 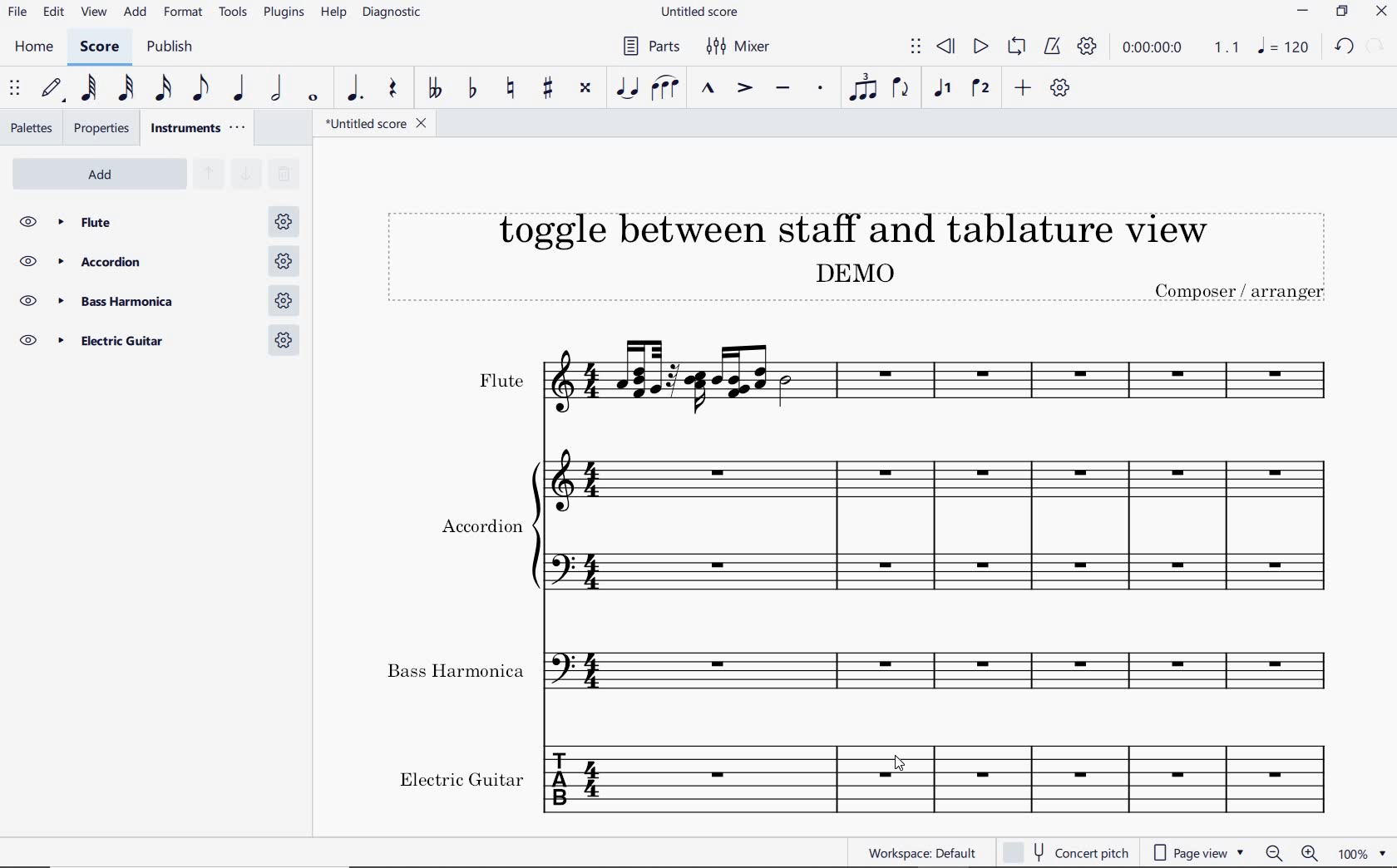 What do you see at coordinates (865, 248) in the screenshot?
I see `Title` at bounding box center [865, 248].